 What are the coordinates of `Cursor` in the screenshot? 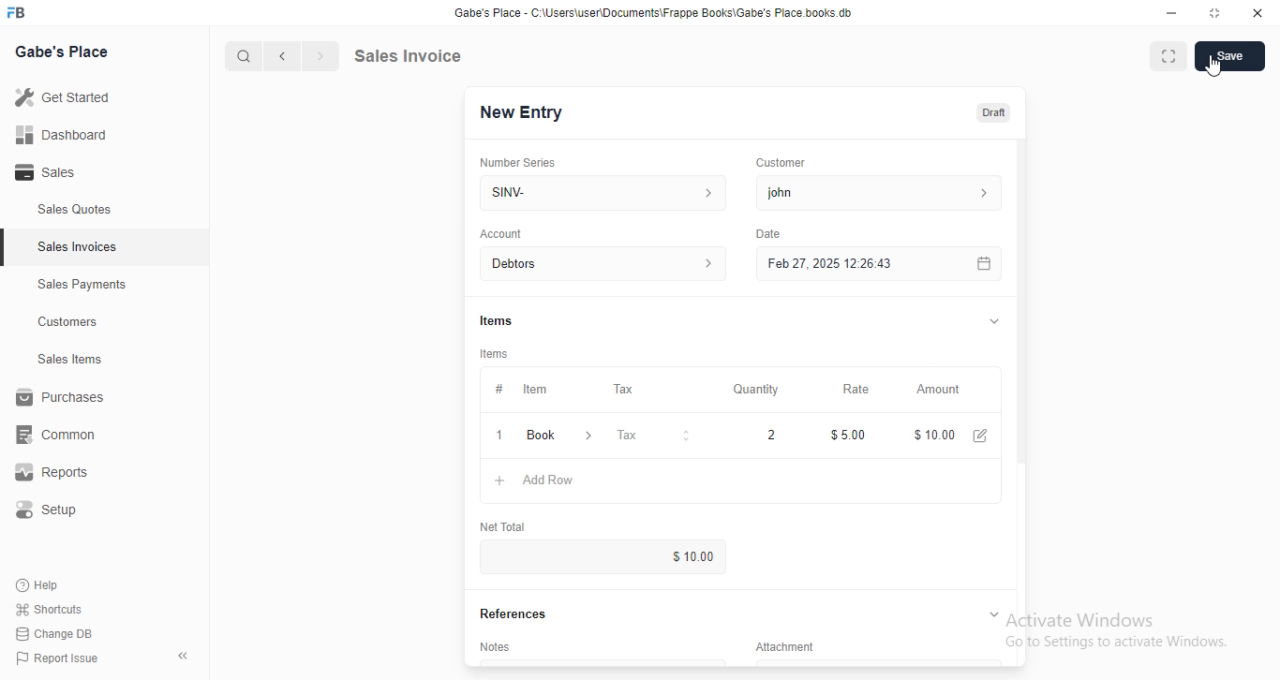 It's located at (1214, 70).